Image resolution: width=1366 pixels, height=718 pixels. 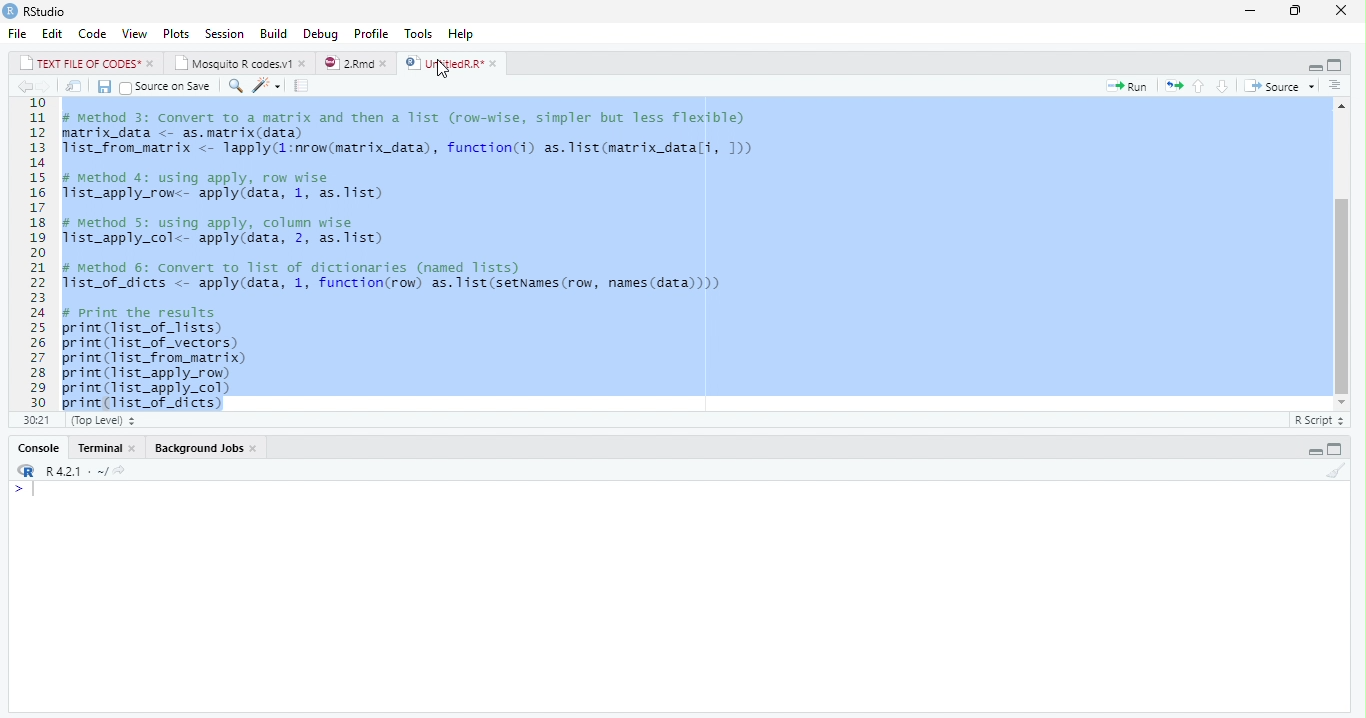 I want to click on go to next section/chunk, so click(x=1222, y=86).